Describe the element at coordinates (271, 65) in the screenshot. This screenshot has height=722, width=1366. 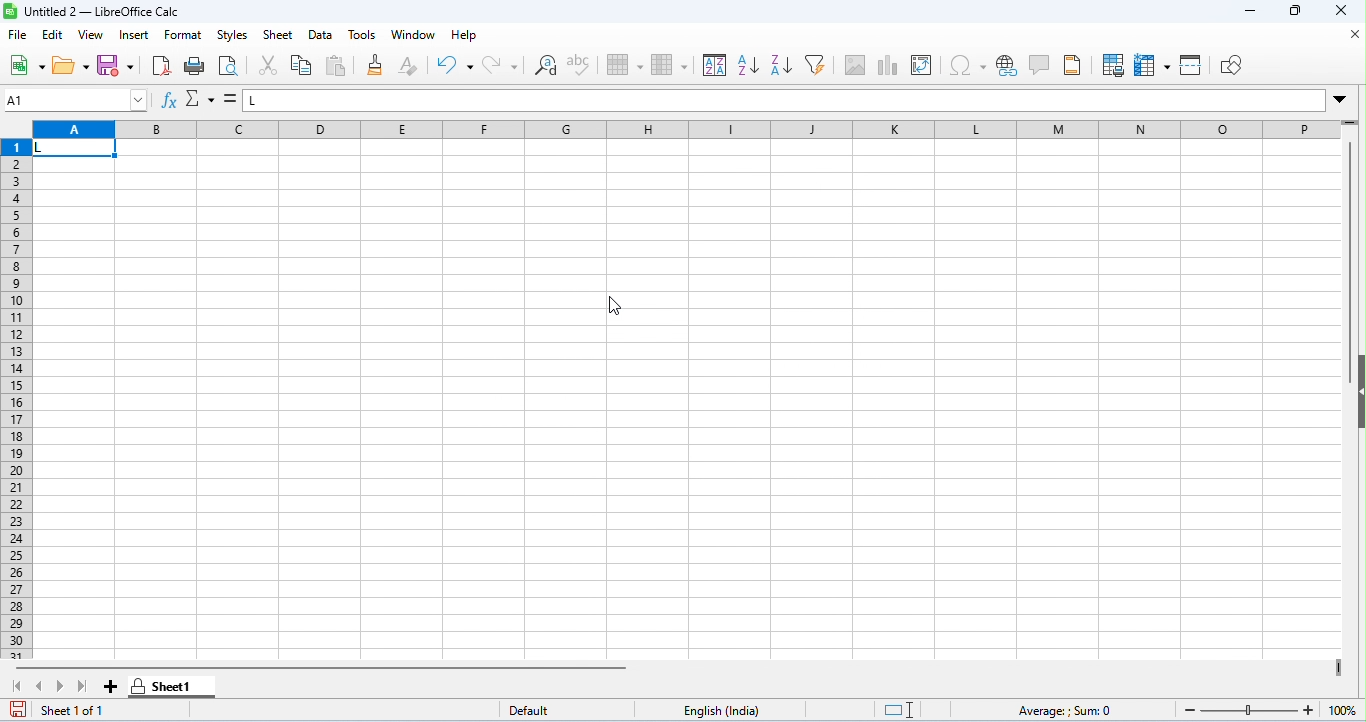
I see `cut` at that location.